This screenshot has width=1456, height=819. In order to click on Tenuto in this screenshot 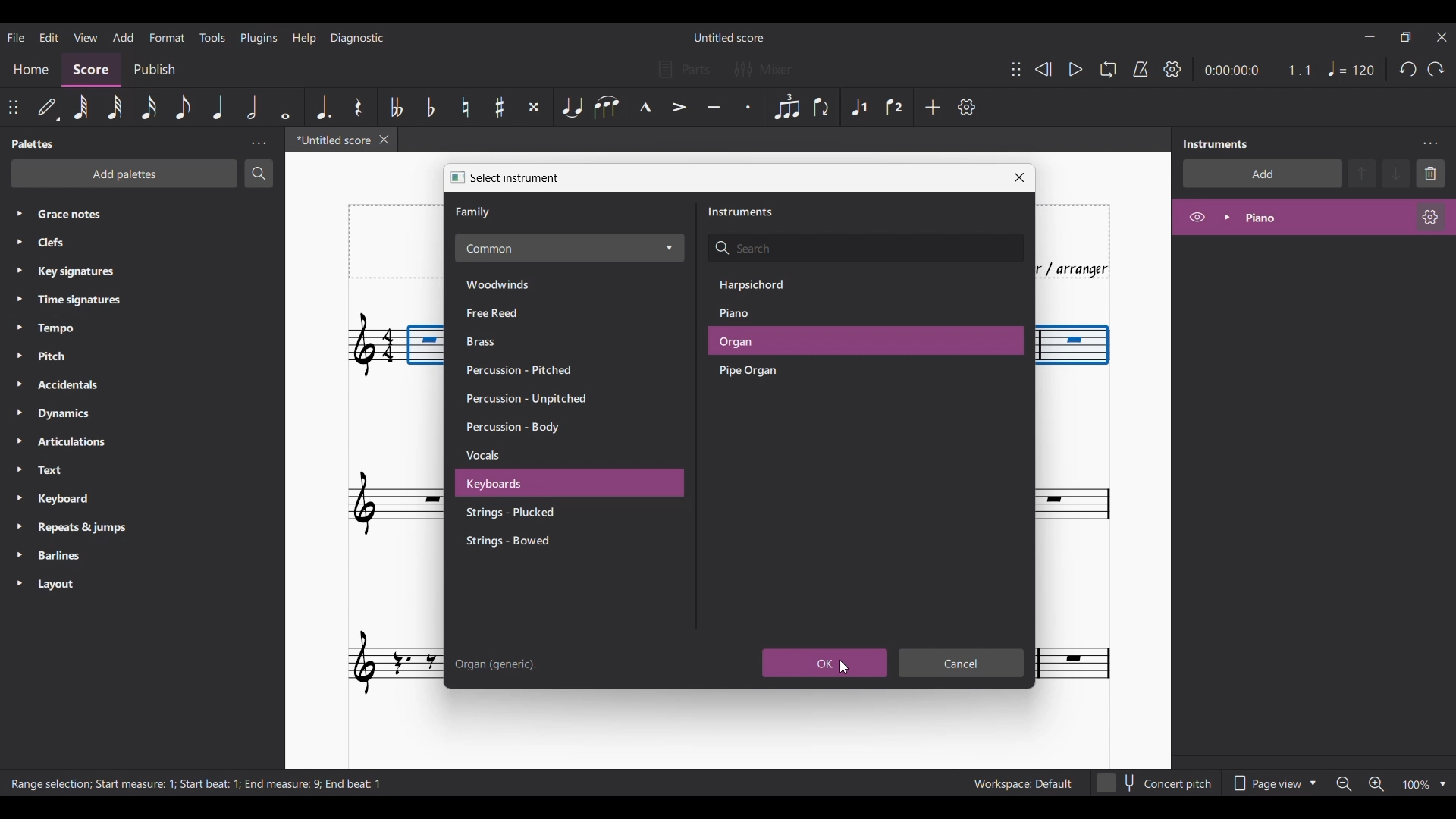, I will do `click(714, 106)`.